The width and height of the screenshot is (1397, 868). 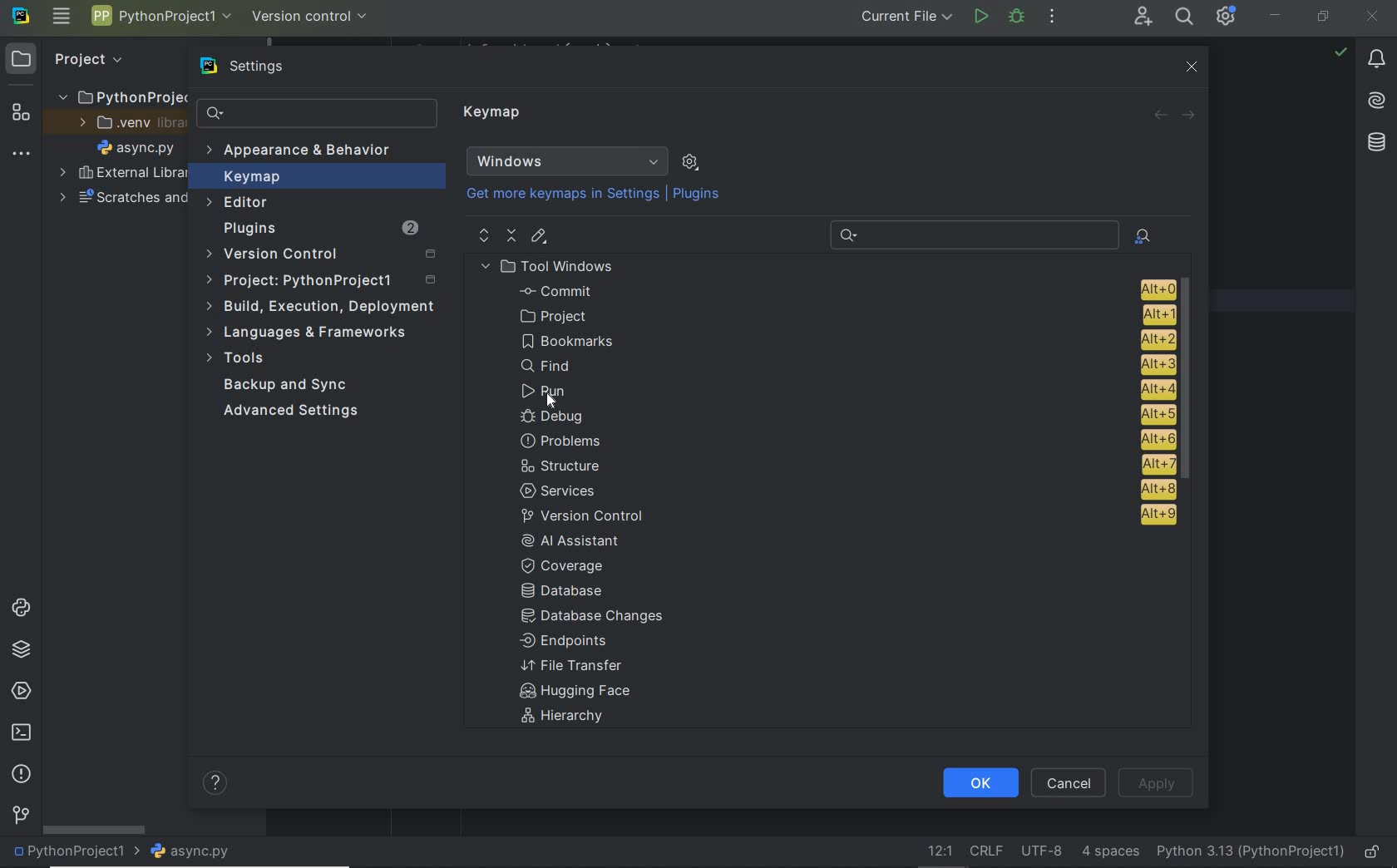 What do you see at coordinates (845, 390) in the screenshot?
I see `Run` at bounding box center [845, 390].